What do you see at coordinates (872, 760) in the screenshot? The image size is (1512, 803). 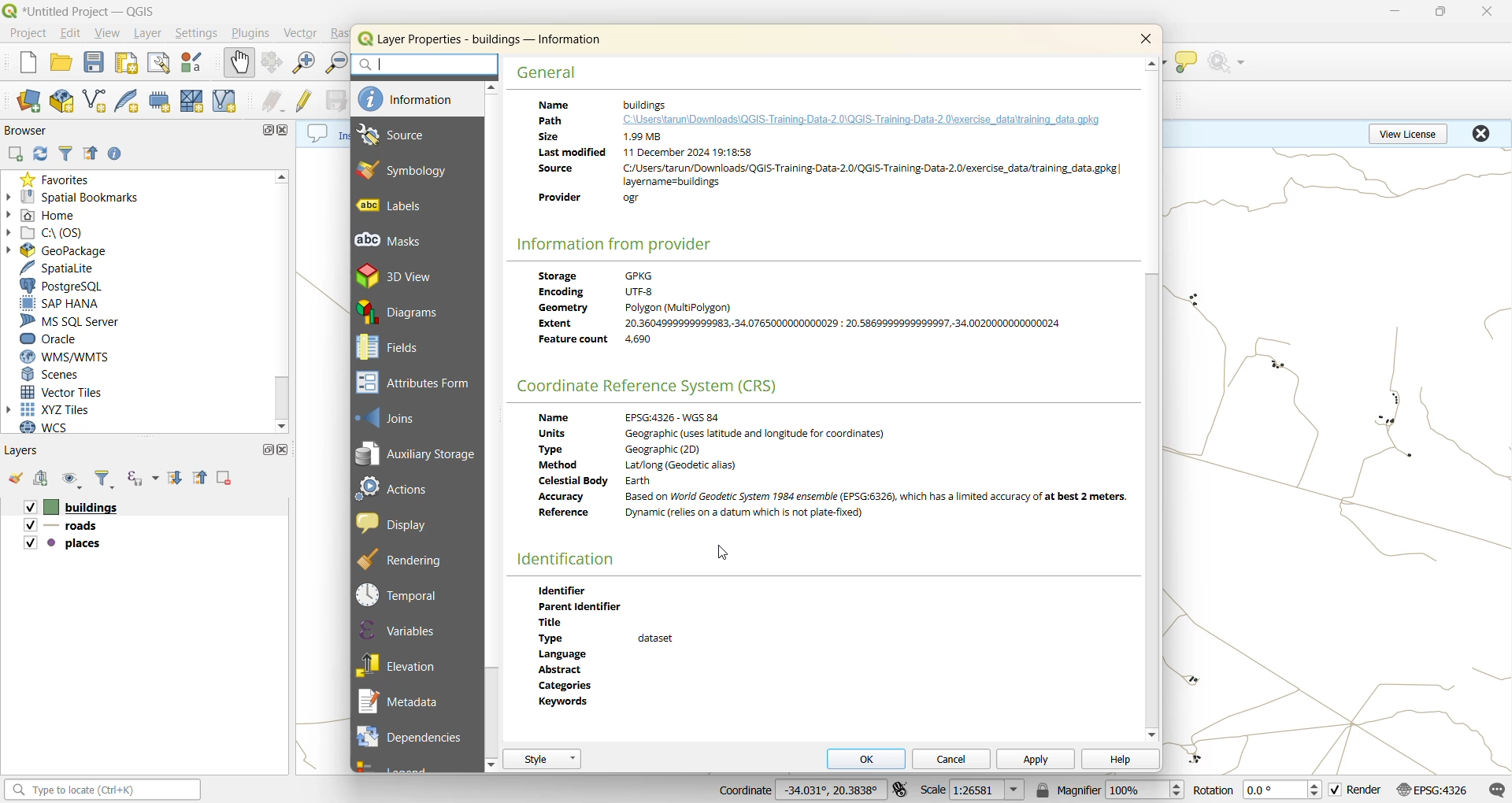 I see `ok` at bounding box center [872, 760].